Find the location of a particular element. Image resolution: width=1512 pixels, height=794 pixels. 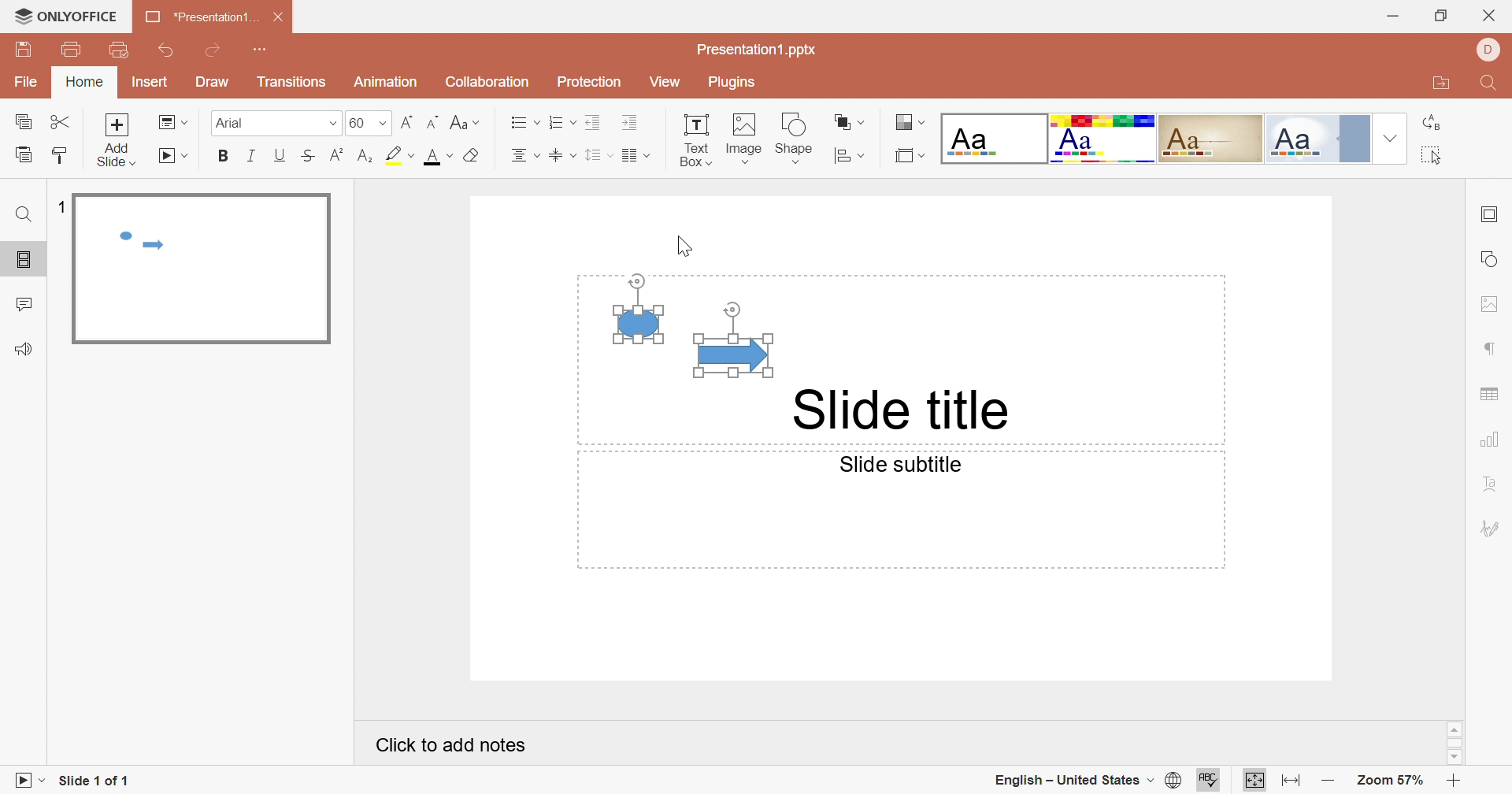

Table settings is located at coordinates (1492, 393).